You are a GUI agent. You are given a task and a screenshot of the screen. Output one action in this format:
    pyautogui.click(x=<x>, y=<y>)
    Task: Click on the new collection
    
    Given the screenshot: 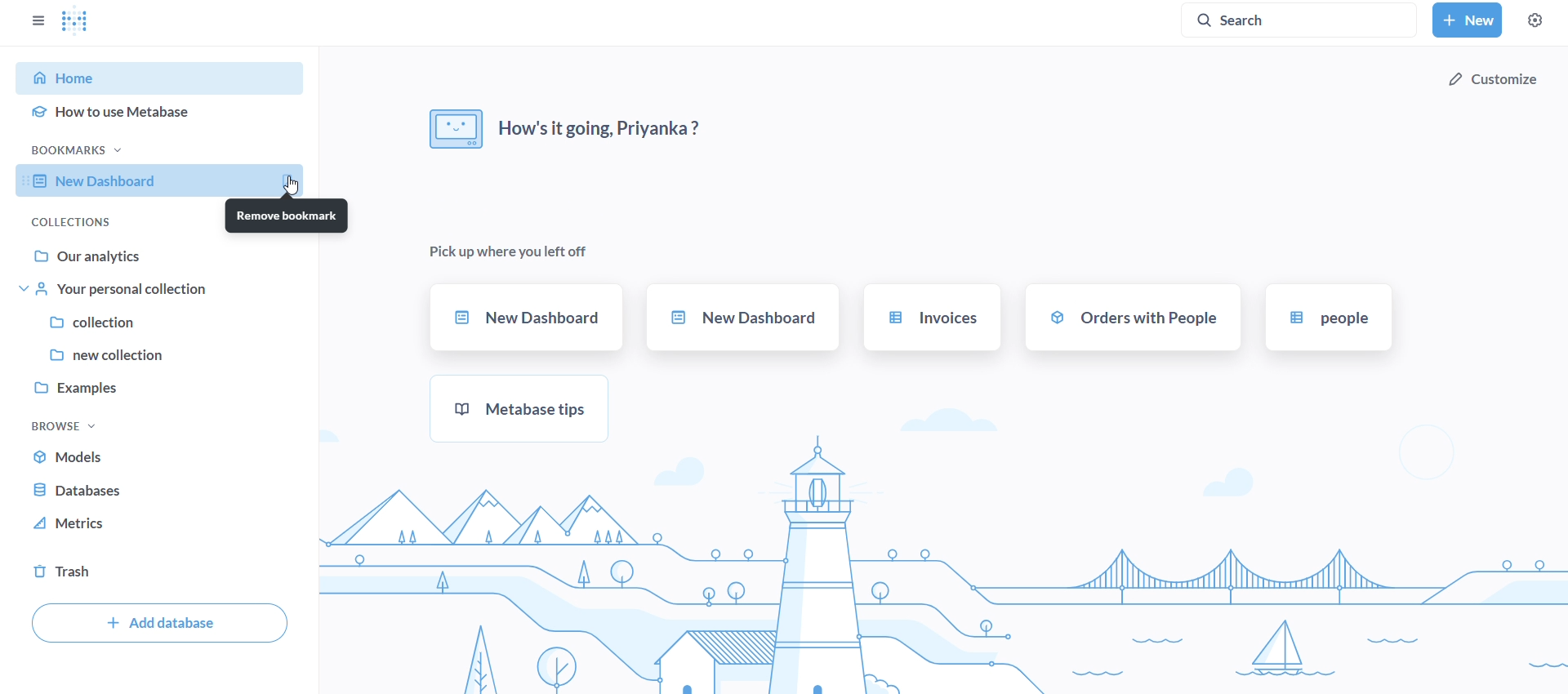 What is the action you would take?
    pyautogui.click(x=164, y=354)
    